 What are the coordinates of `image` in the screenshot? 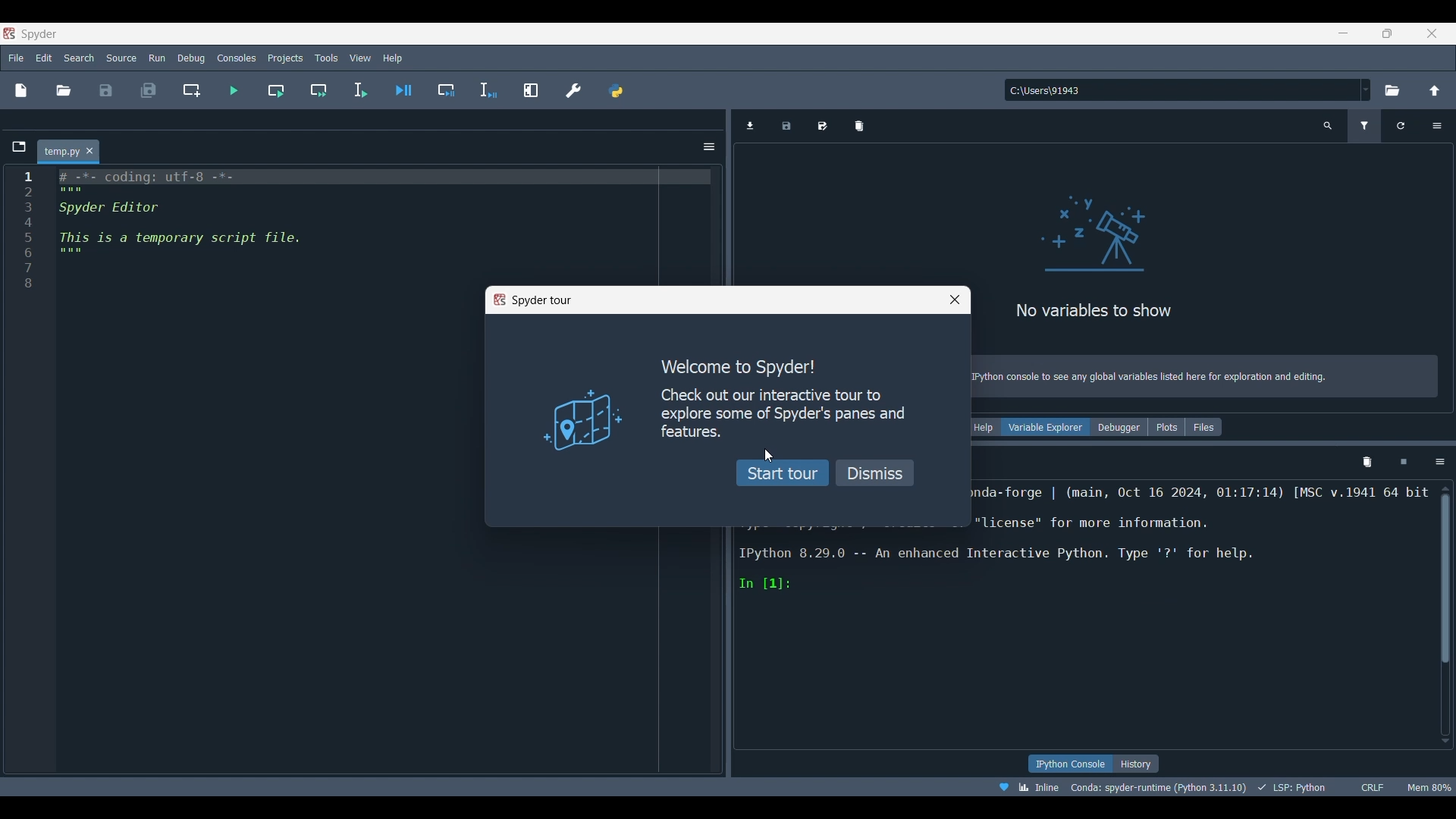 It's located at (1109, 237).